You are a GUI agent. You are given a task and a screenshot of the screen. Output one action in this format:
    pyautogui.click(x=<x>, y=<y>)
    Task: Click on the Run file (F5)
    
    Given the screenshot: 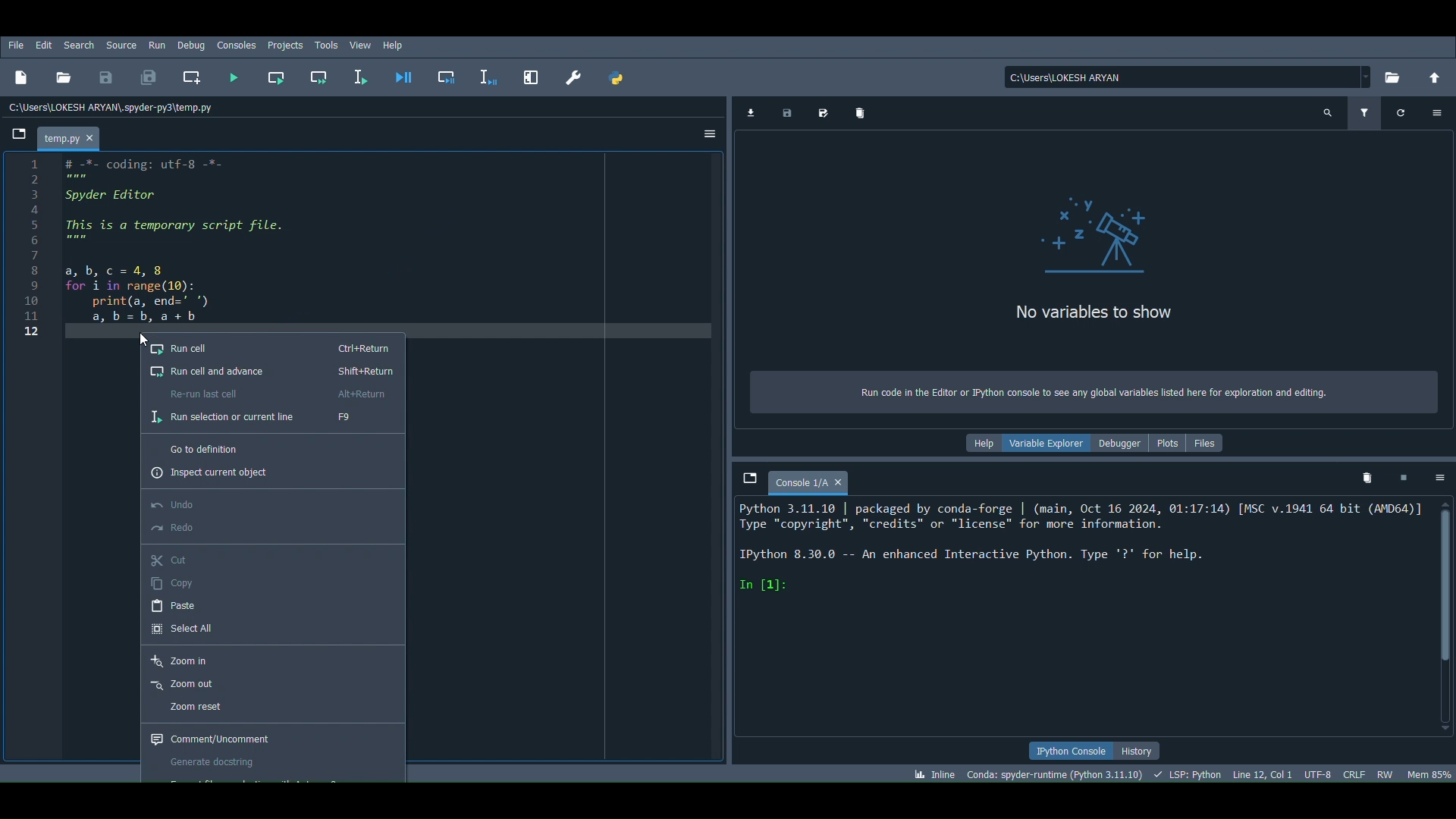 What is the action you would take?
    pyautogui.click(x=236, y=77)
    